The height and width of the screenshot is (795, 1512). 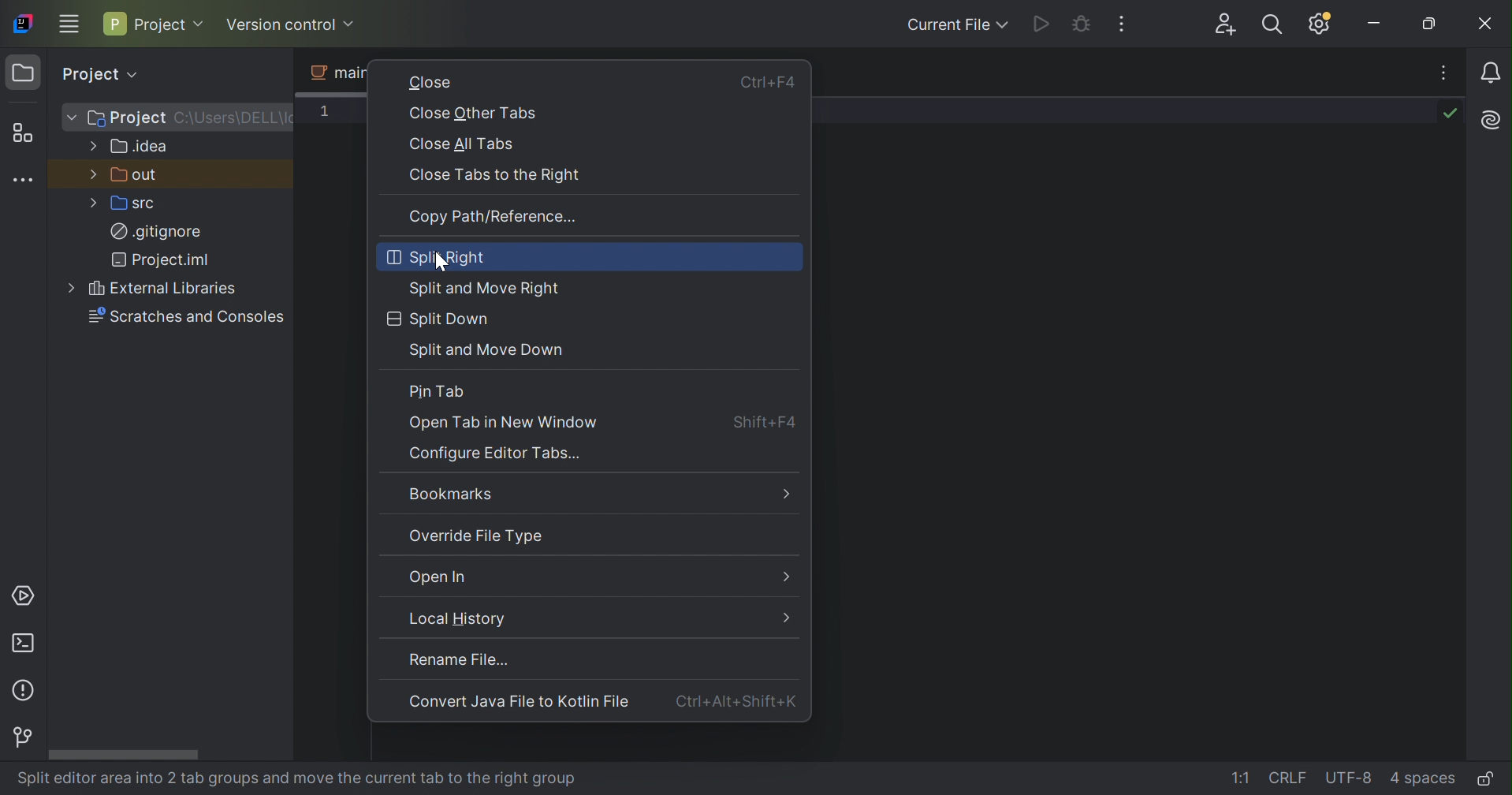 I want to click on Scroll bar, so click(x=122, y=753).